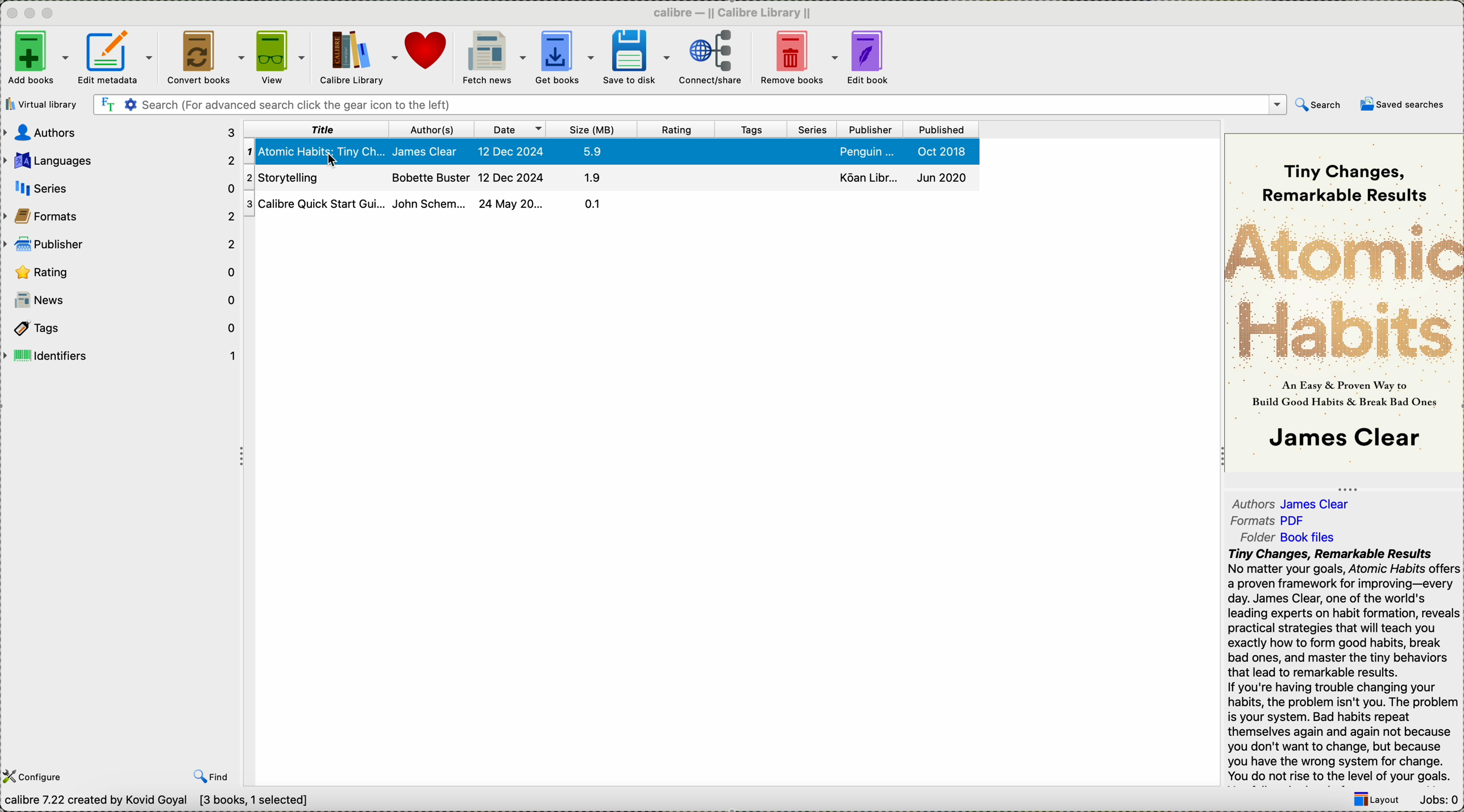 The height and width of the screenshot is (812, 1464). What do you see at coordinates (32, 14) in the screenshot?
I see `disable buttons program` at bounding box center [32, 14].